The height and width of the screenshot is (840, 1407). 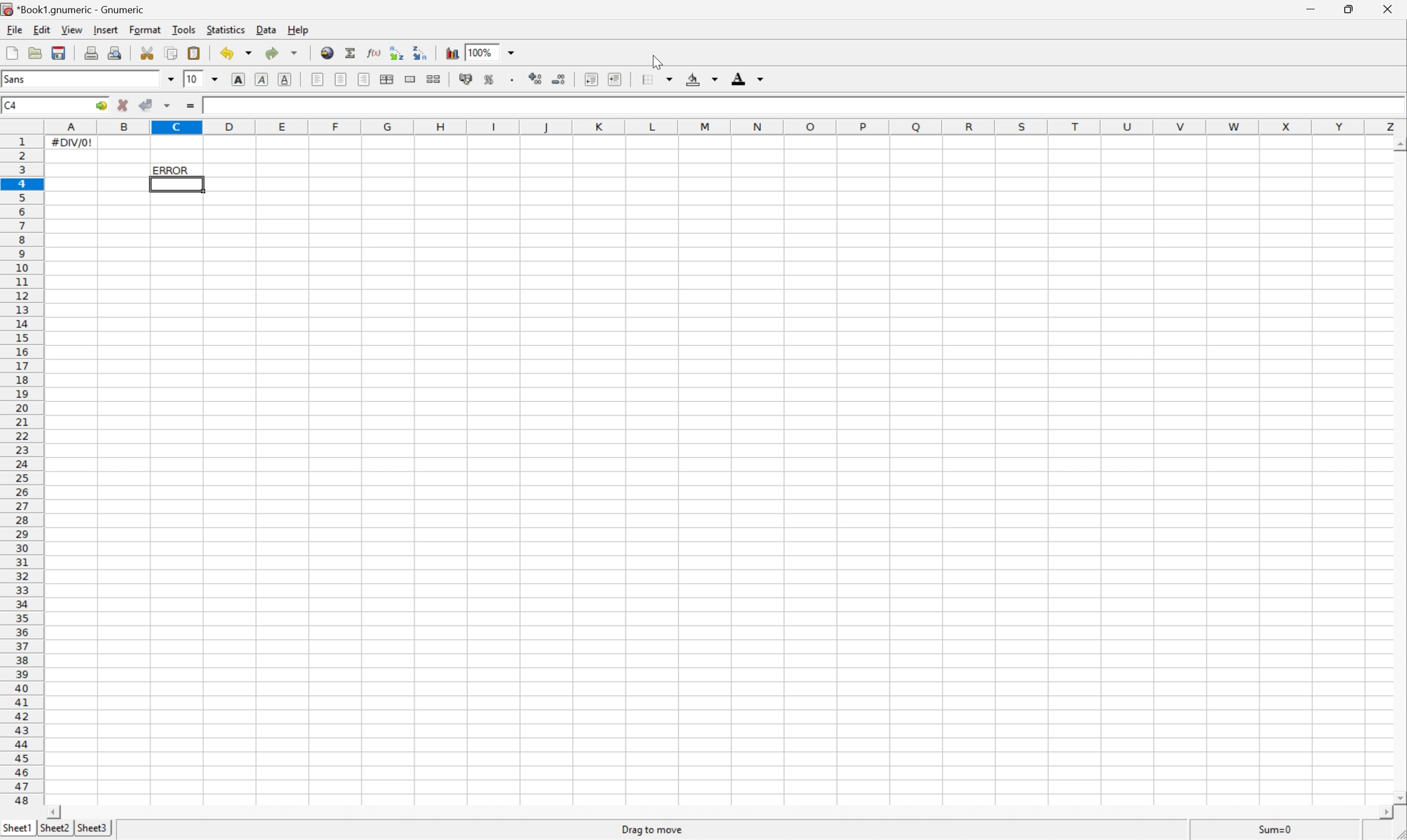 What do you see at coordinates (11, 105) in the screenshot?
I see `C4` at bounding box center [11, 105].